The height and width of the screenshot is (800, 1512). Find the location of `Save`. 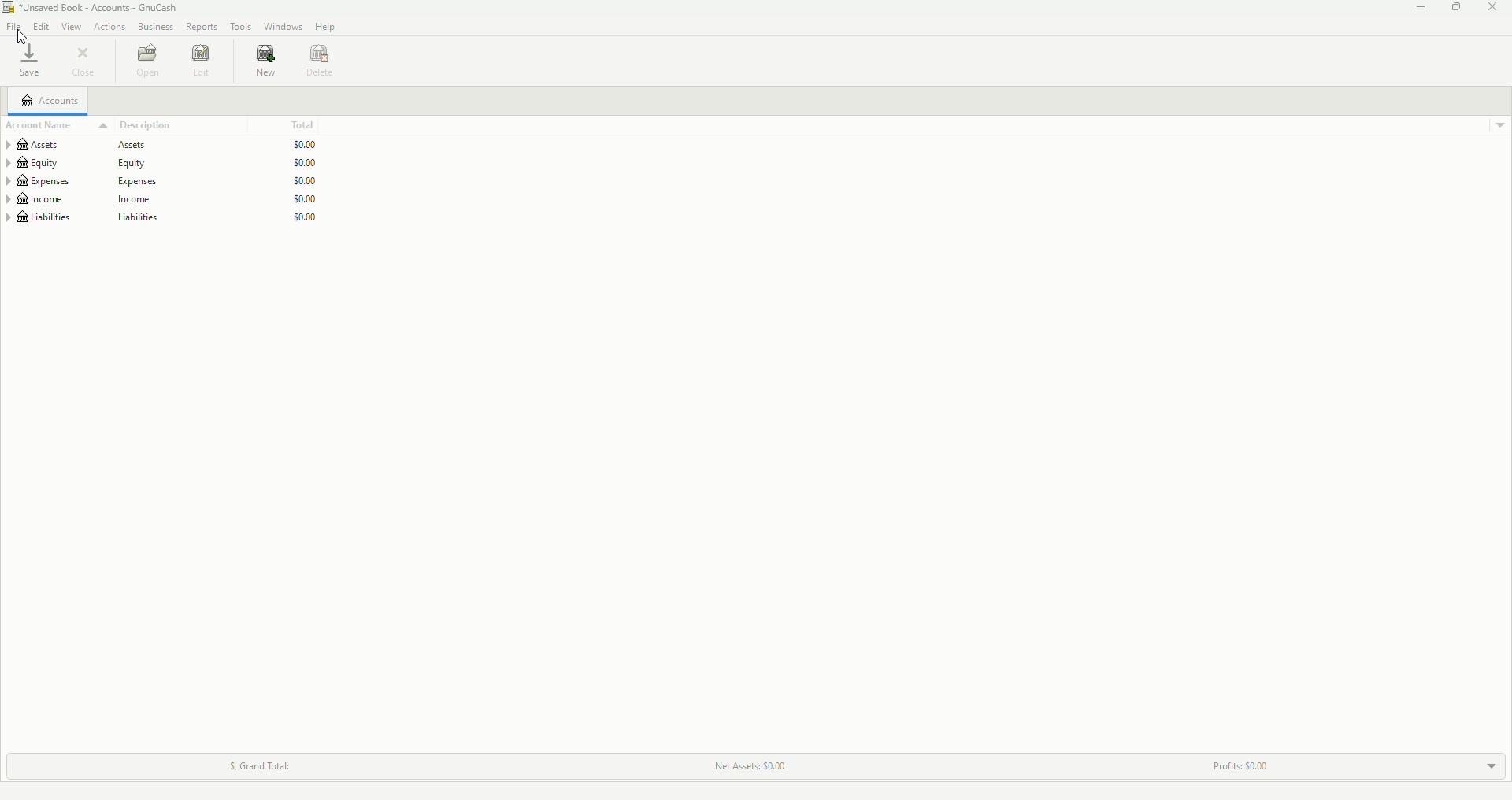

Save is located at coordinates (31, 61).